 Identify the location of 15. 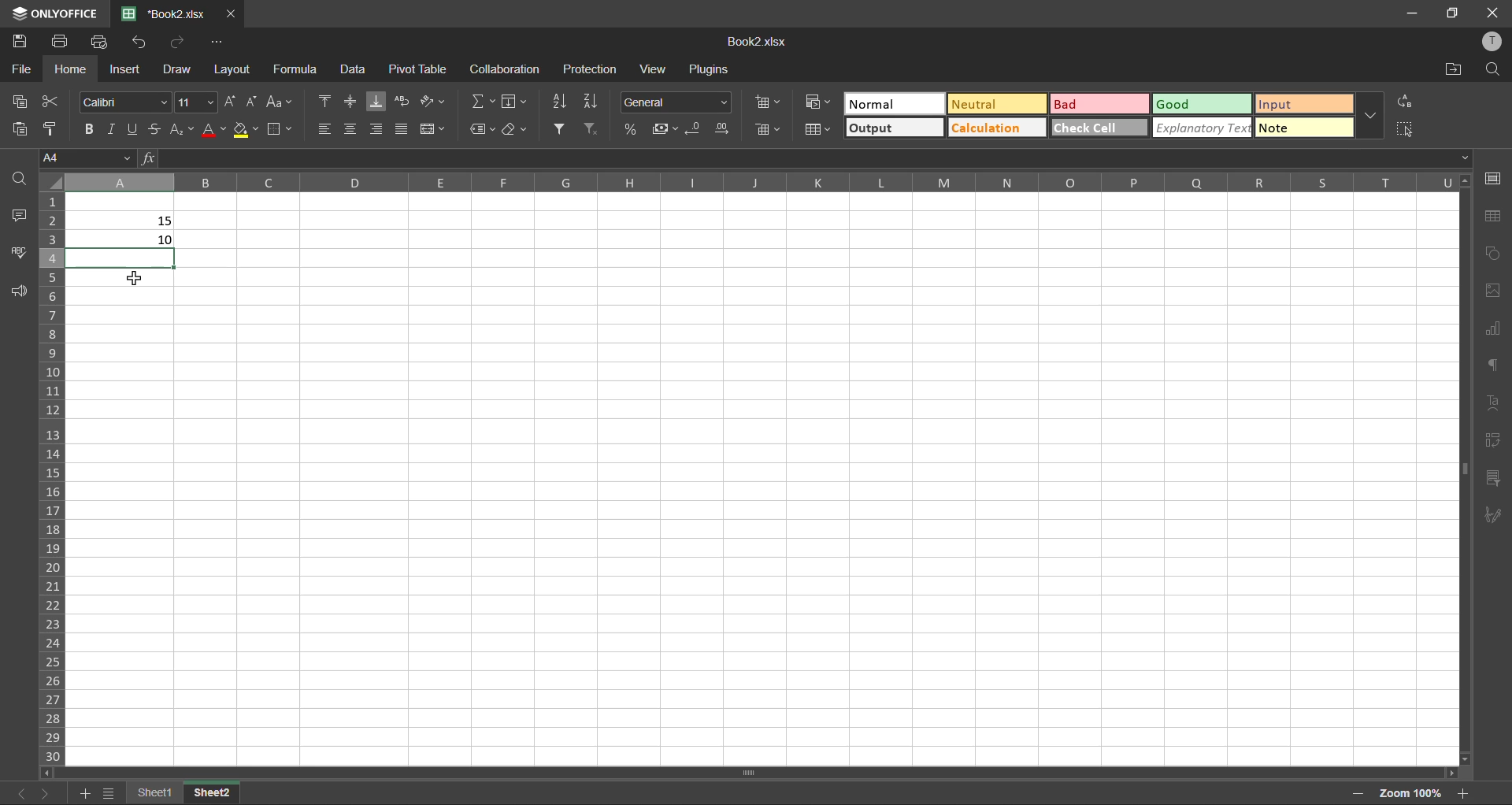
(165, 221).